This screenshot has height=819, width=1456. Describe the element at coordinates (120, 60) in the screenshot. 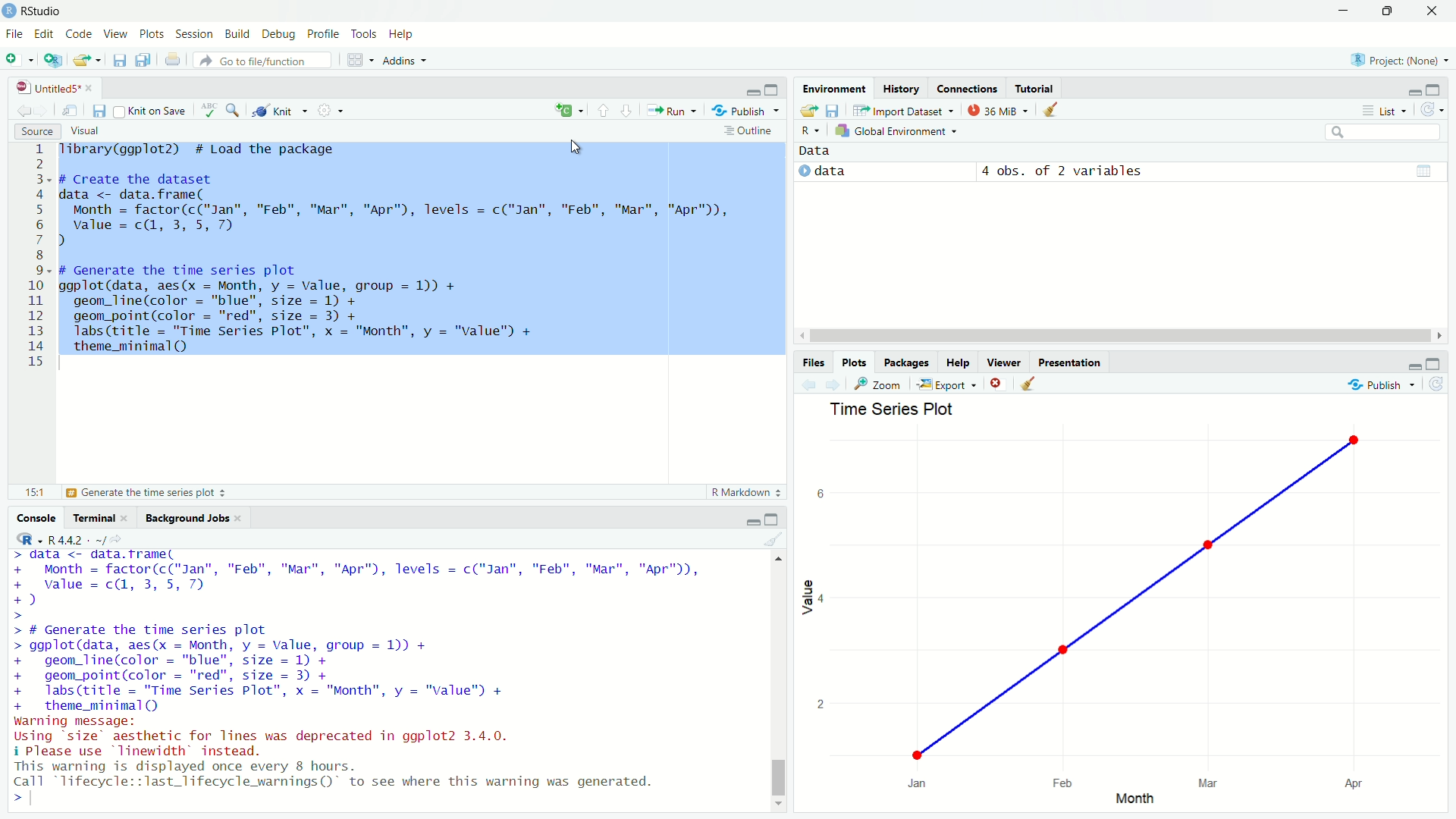

I see `save current document` at that location.